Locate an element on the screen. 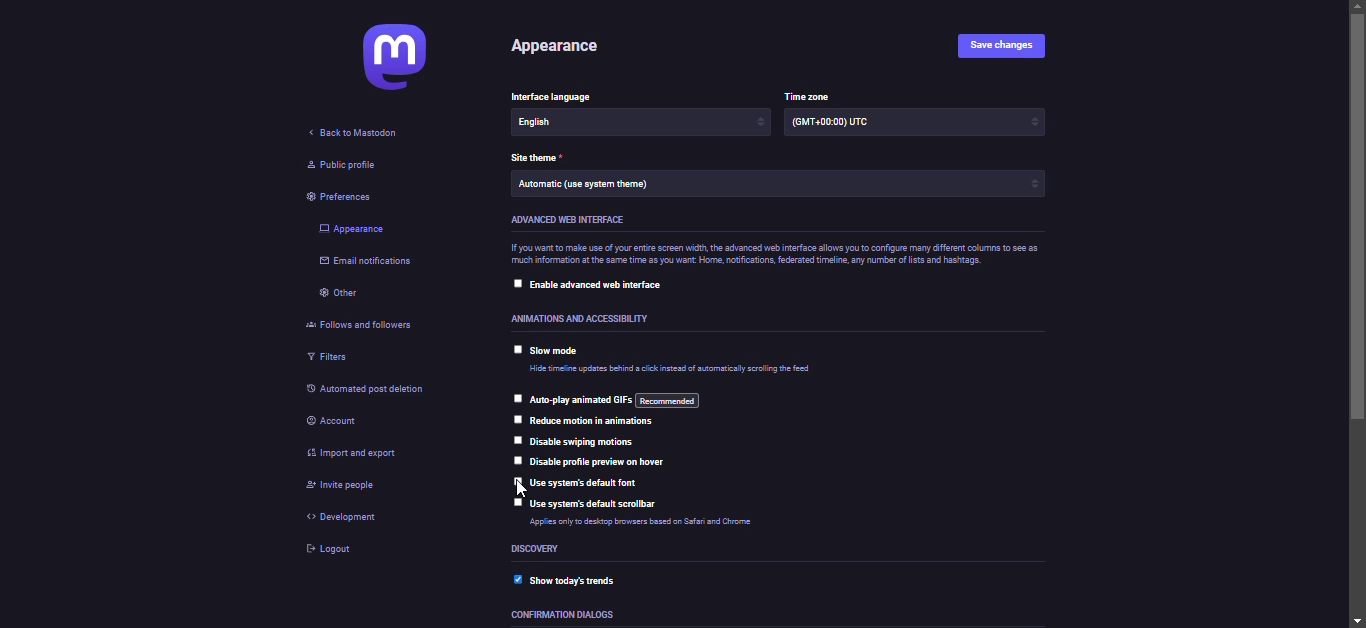  email notifications is located at coordinates (369, 262).